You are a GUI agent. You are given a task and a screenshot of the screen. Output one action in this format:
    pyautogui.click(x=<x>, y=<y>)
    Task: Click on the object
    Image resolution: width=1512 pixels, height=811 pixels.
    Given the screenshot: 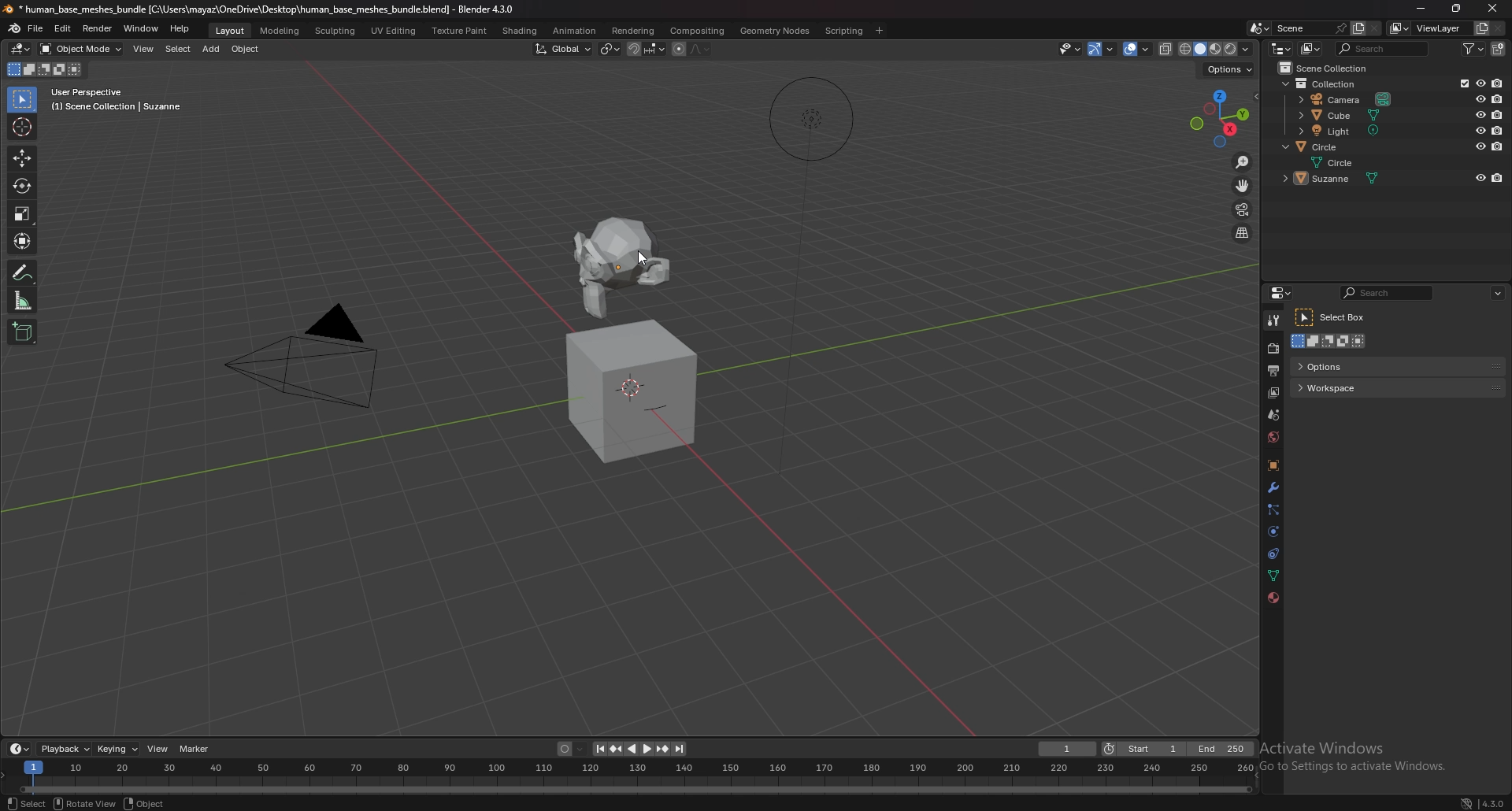 What is the action you would take?
    pyautogui.click(x=146, y=804)
    